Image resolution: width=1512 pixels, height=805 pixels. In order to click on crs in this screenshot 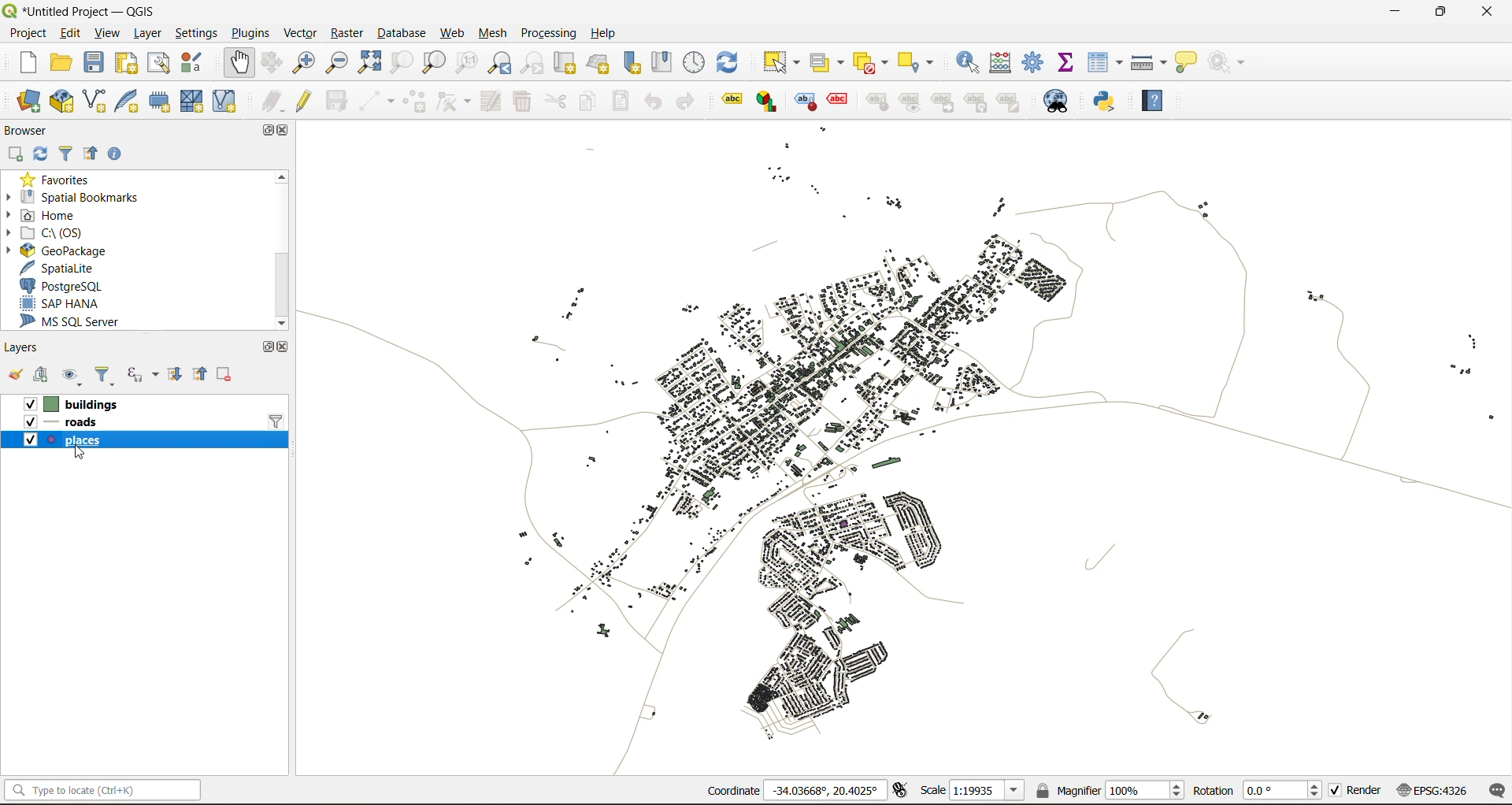, I will do `click(1432, 792)`.